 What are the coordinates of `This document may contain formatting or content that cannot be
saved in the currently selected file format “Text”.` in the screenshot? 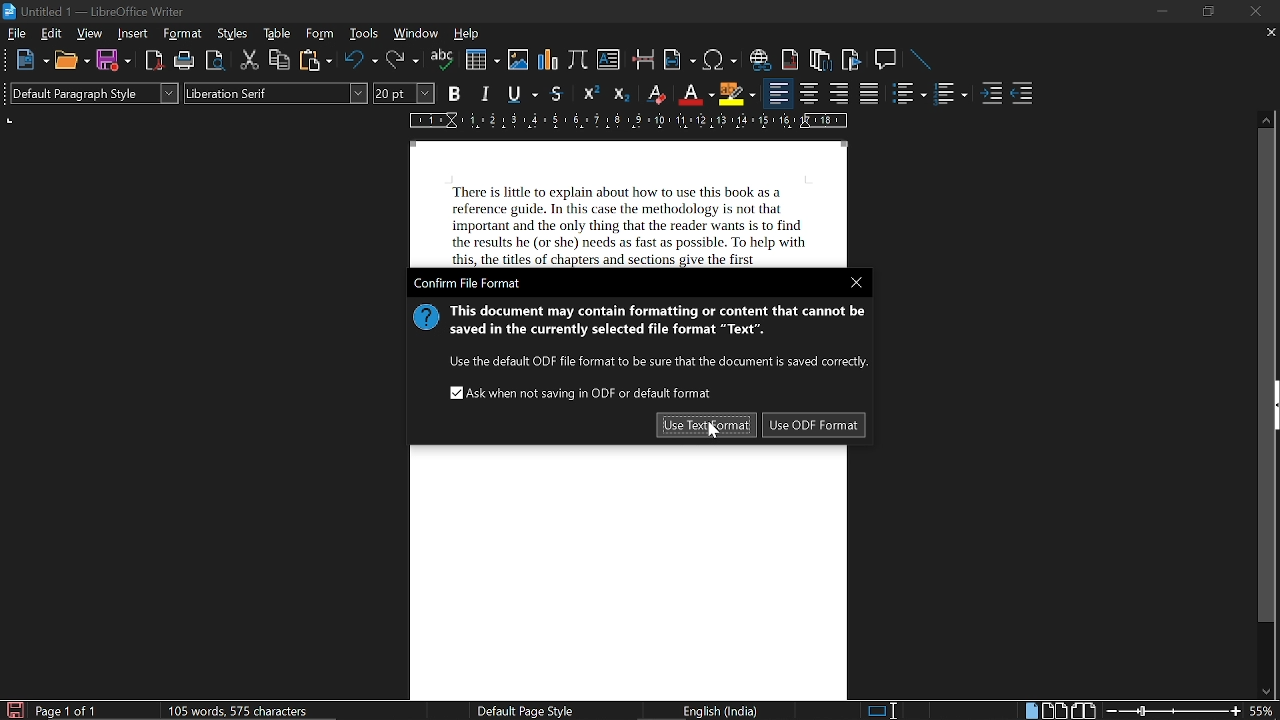 It's located at (657, 323).